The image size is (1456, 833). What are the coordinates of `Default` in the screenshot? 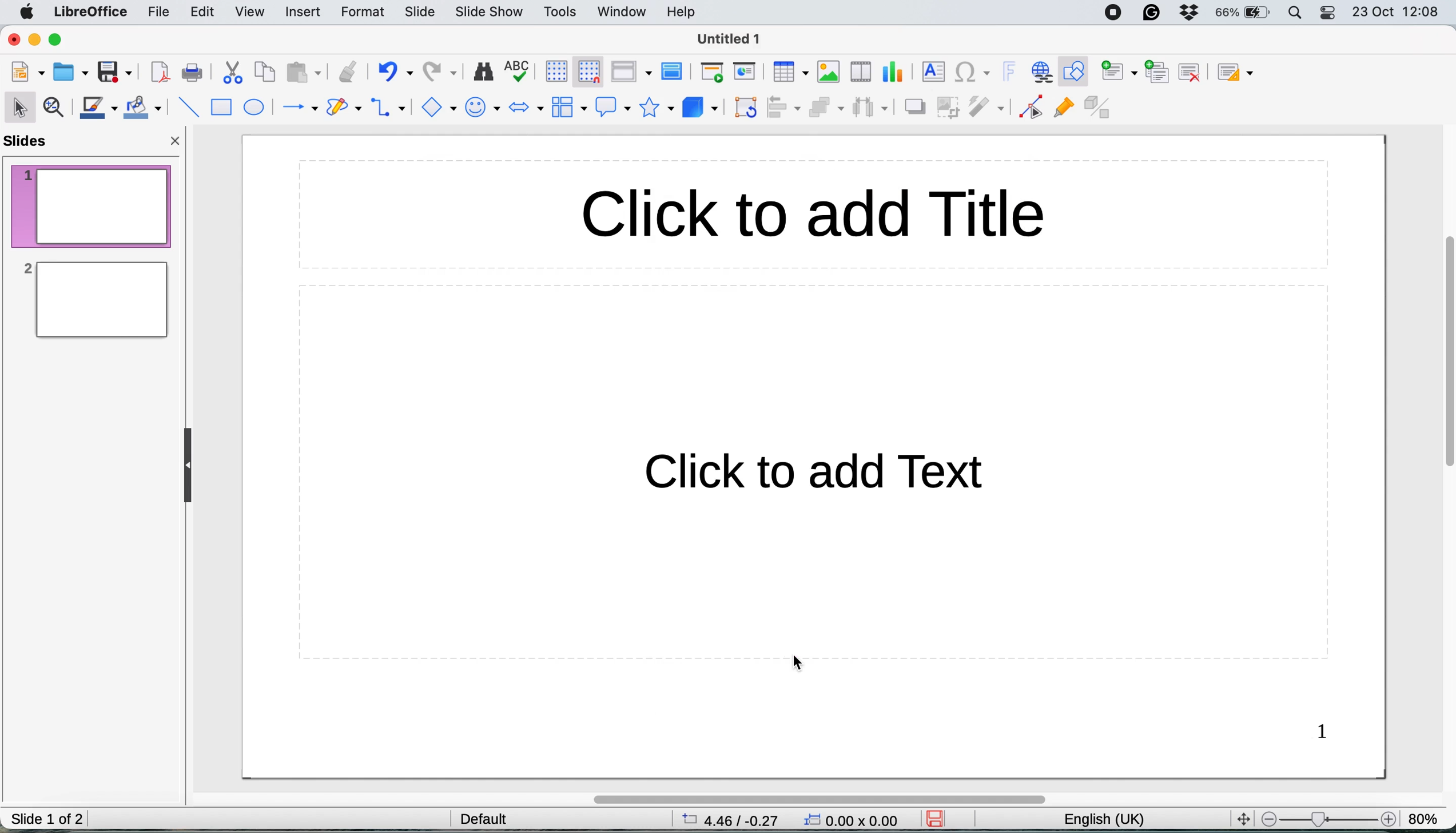 It's located at (484, 818).